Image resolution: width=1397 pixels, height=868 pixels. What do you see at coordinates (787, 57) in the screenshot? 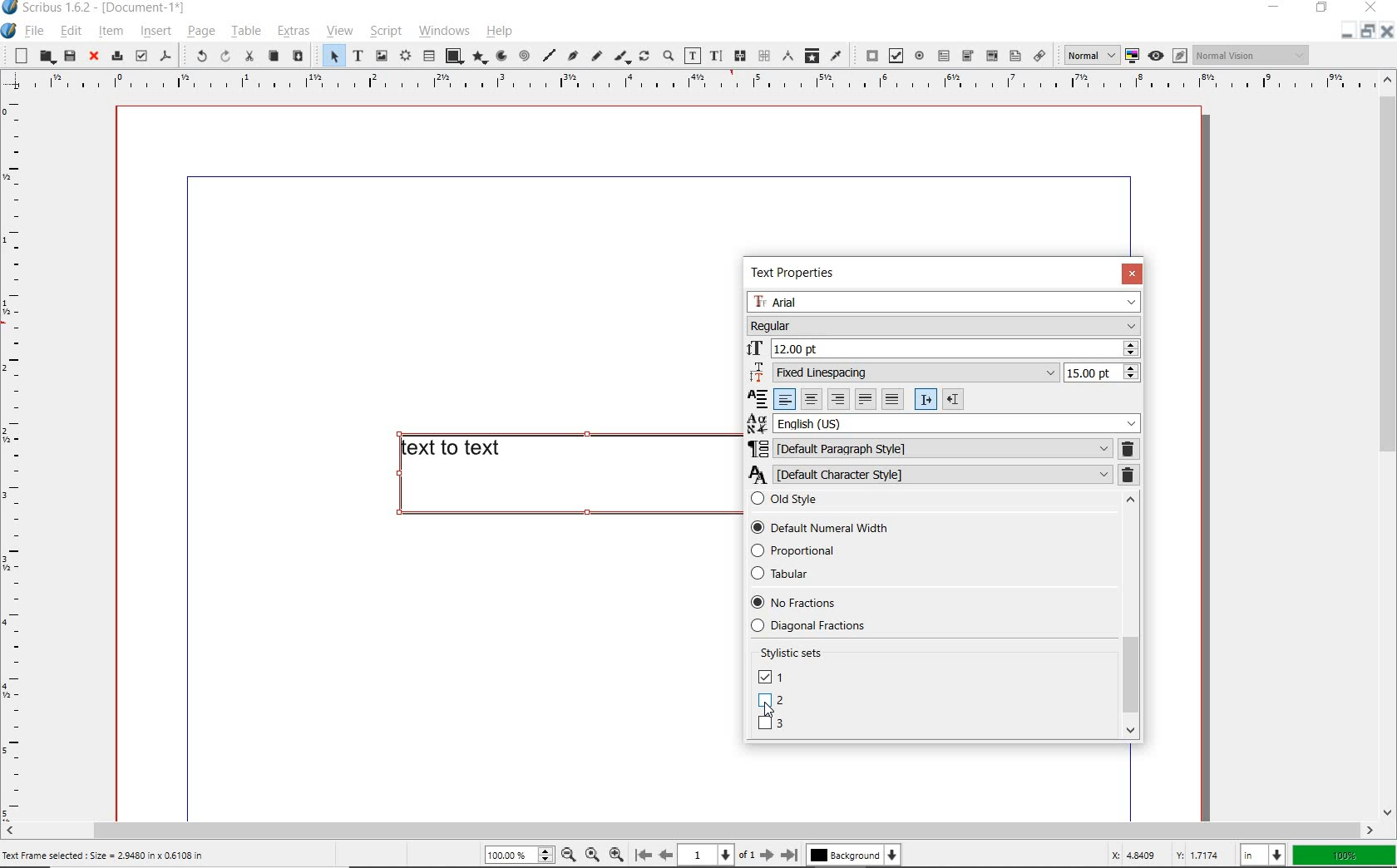
I see `measurements` at bounding box center [787, 57].